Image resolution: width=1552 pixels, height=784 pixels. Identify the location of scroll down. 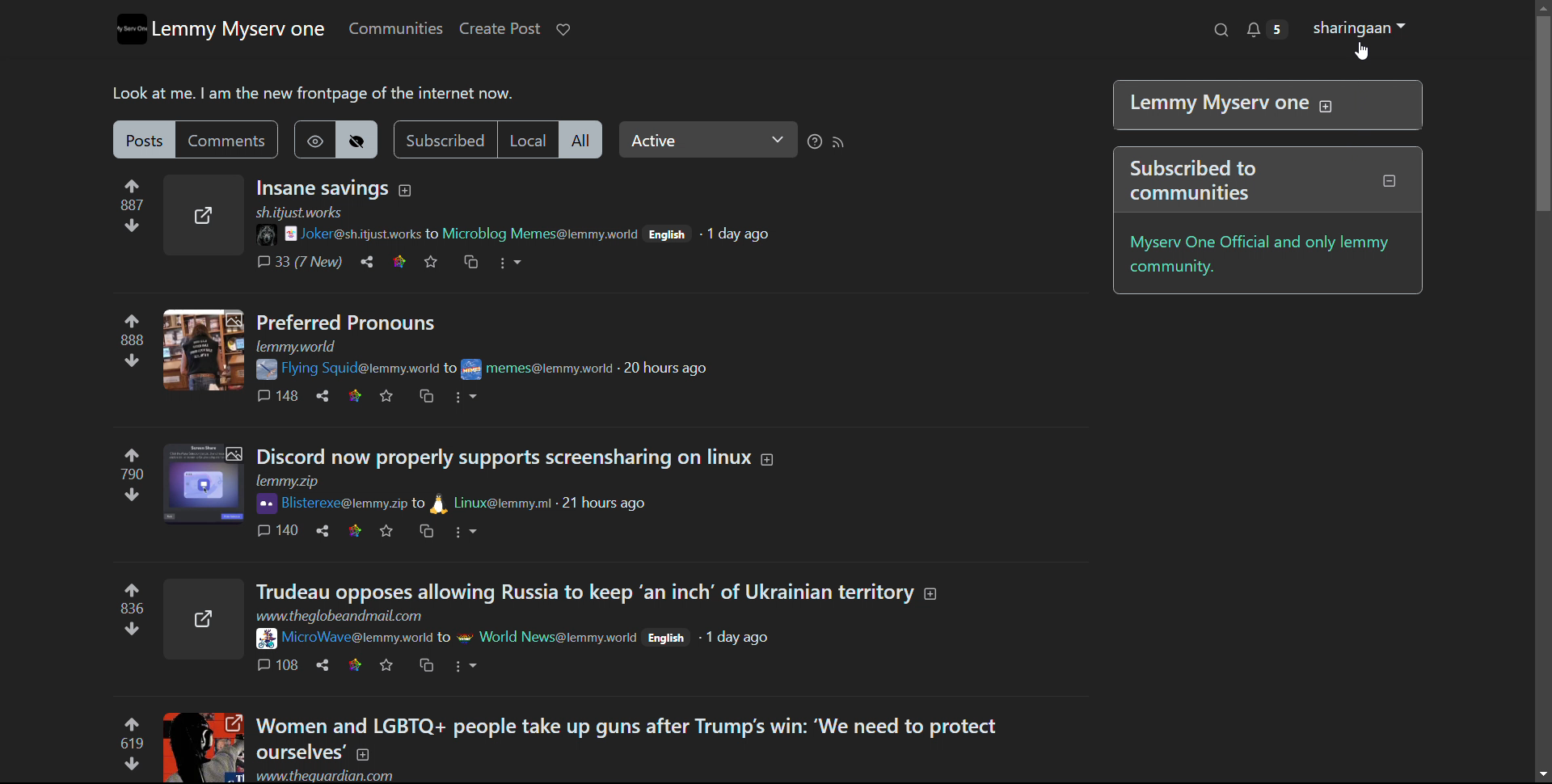
(1542, 775).